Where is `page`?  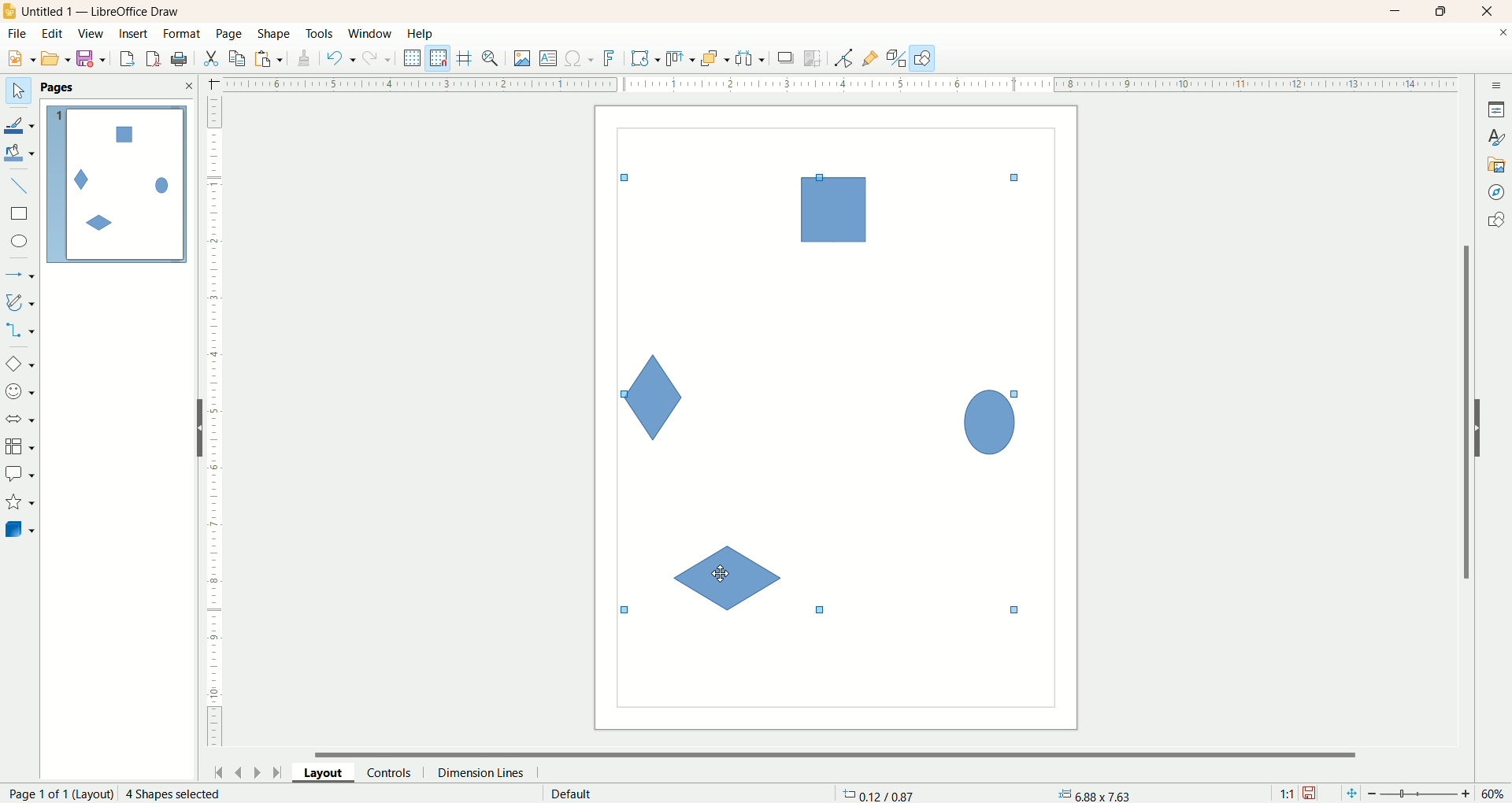
page is located at coordinates (231, 33).